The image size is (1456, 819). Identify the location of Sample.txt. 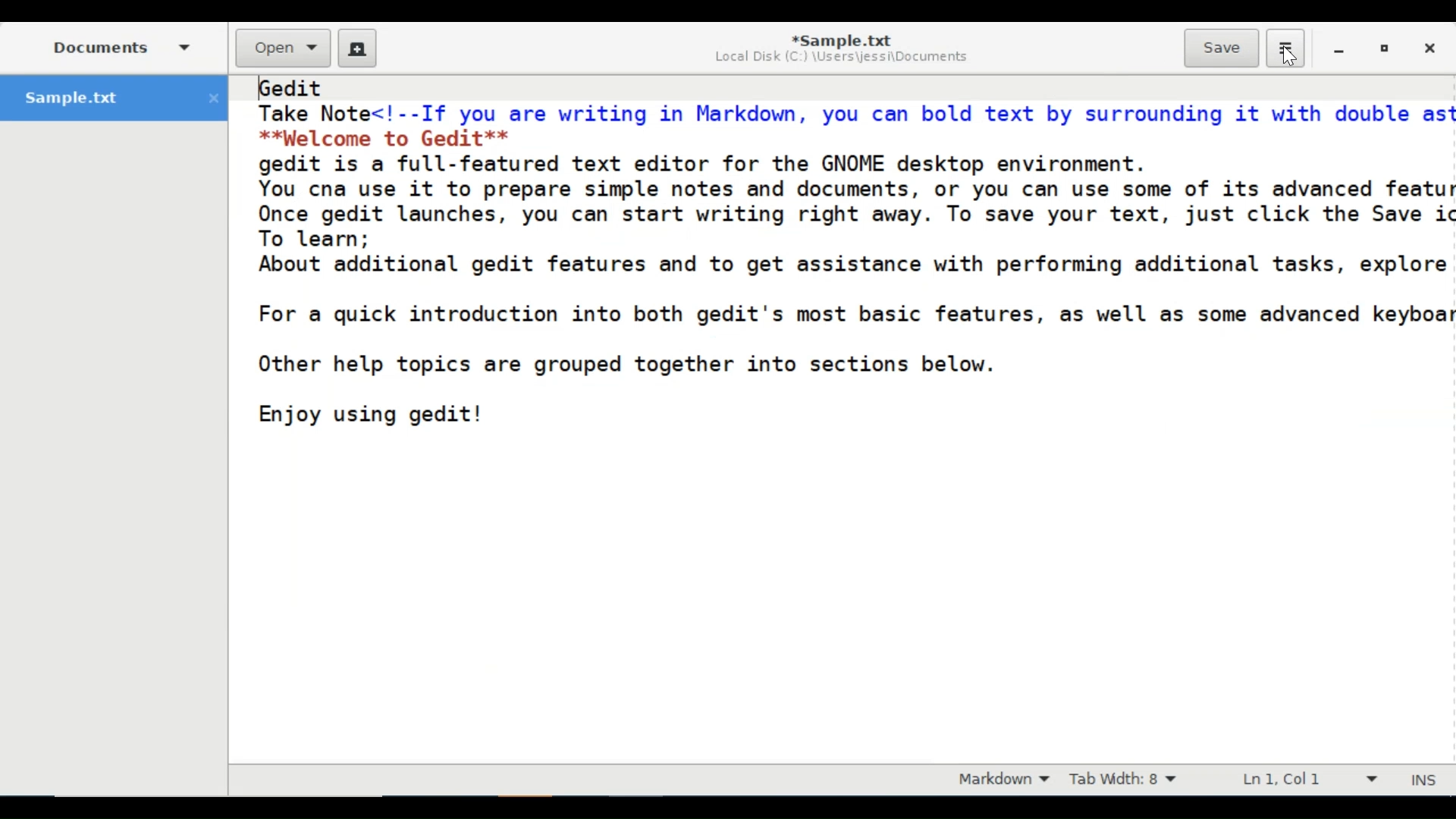
(113, 99).